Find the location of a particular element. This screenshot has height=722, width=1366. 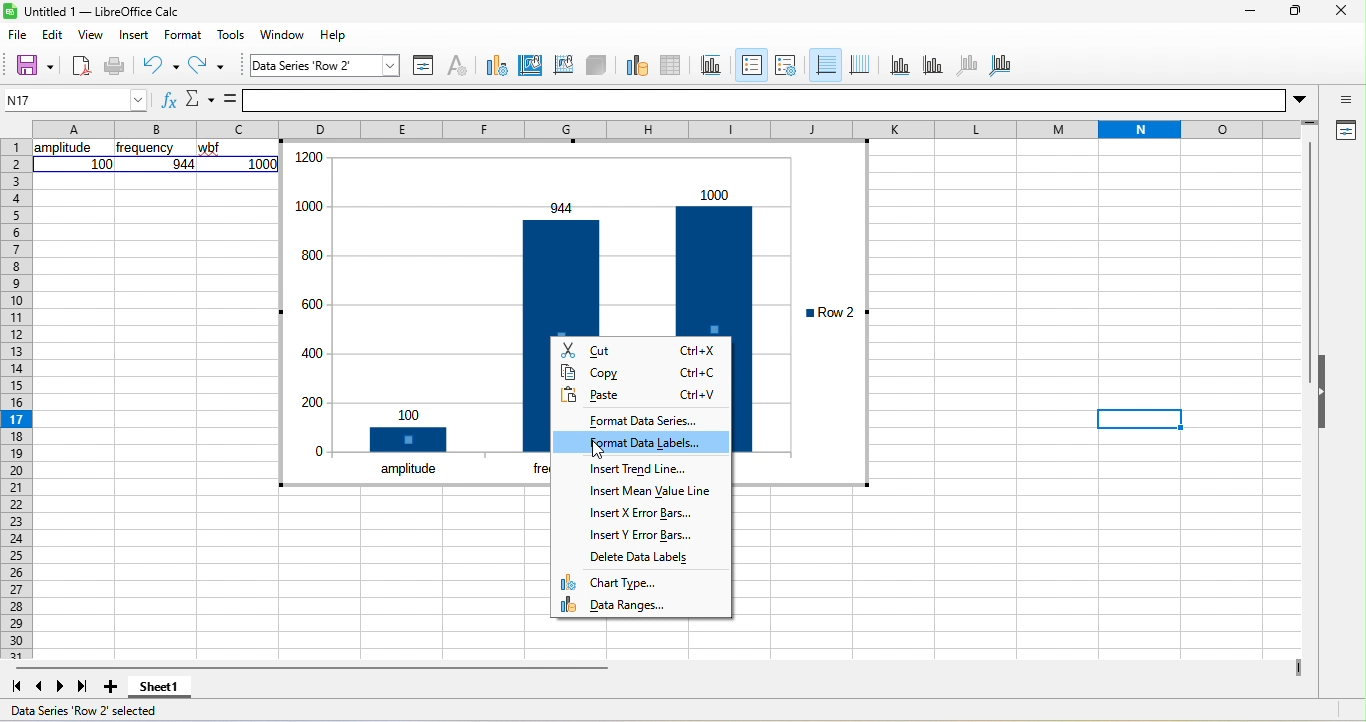

amplitude is located at coordinates (409, 467).